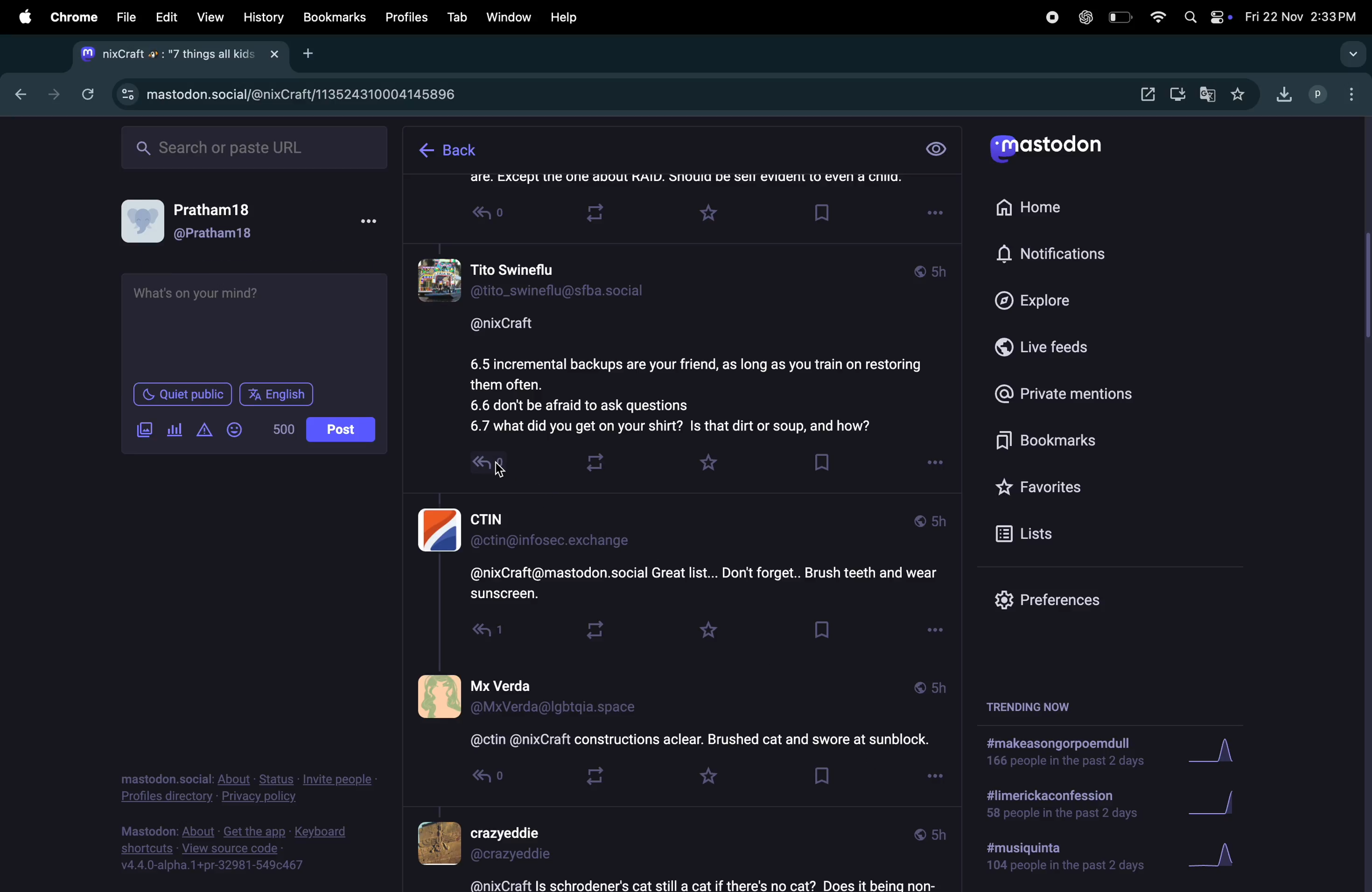  I want to click on refresh, so click(88, 95).